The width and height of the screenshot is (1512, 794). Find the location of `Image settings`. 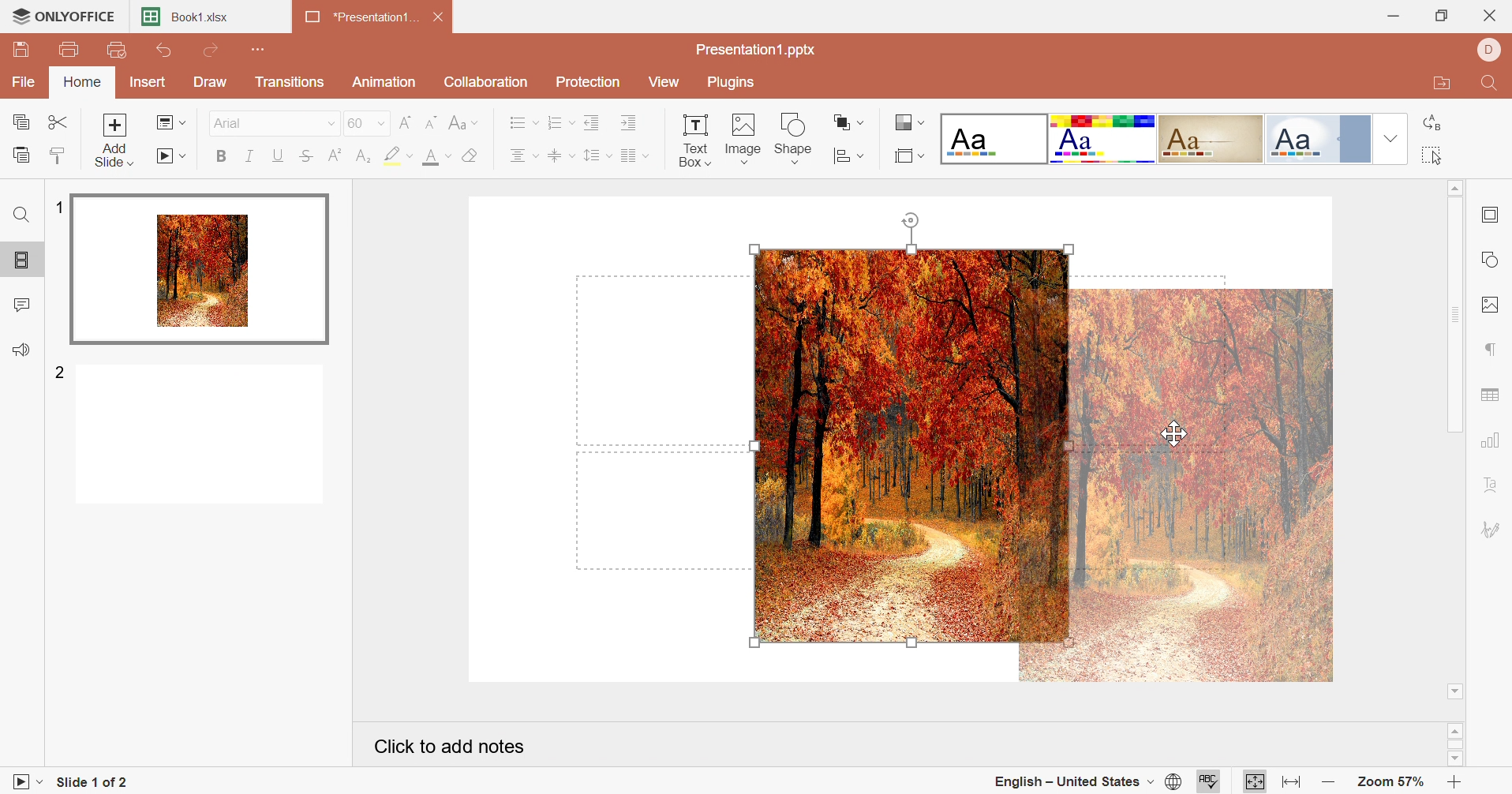

Image settings is located at coordinates (1489, 305).